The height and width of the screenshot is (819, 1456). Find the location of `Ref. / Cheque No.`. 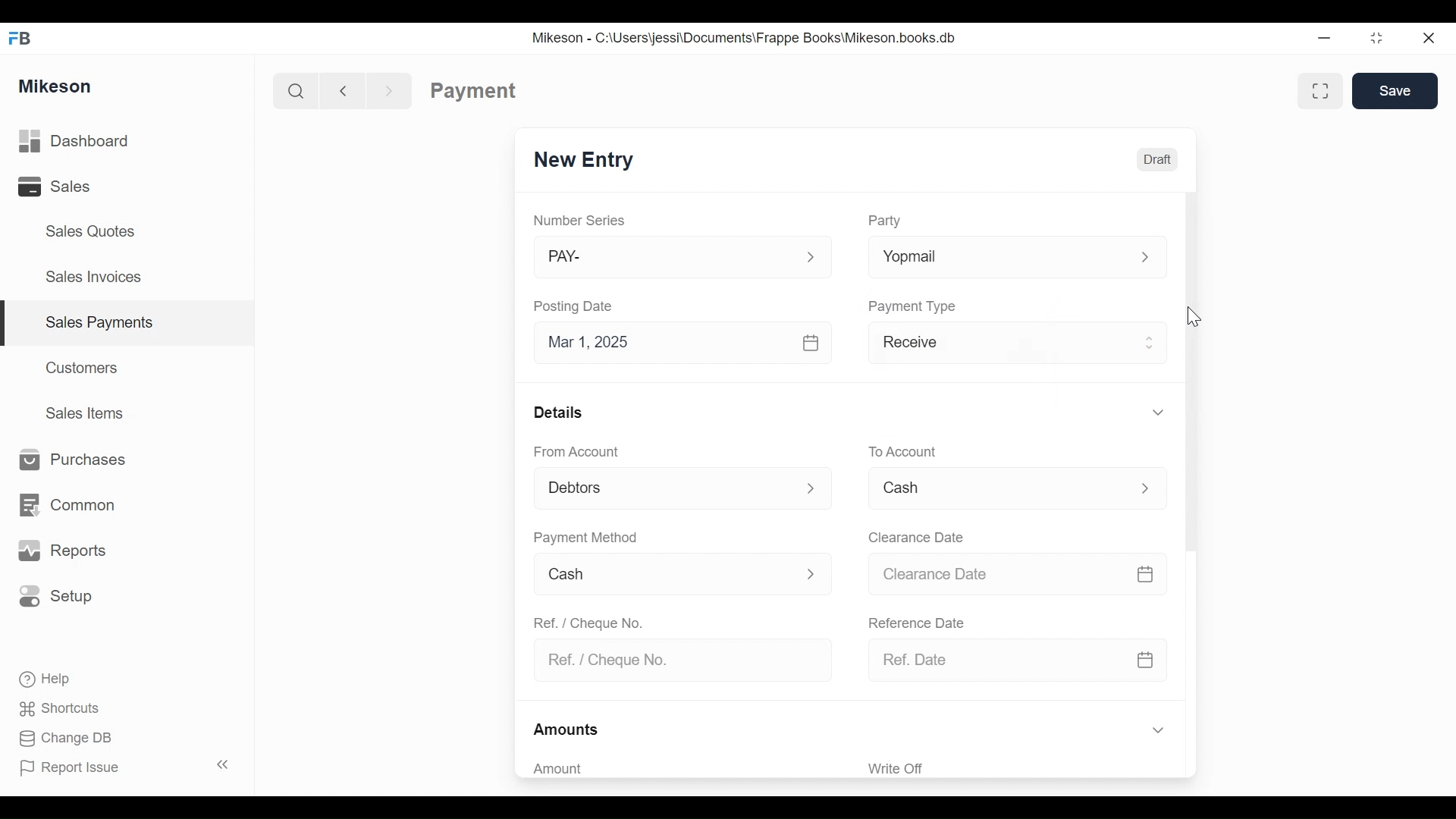

Ref. / Cheque No. is located at coordinates (595, 622).